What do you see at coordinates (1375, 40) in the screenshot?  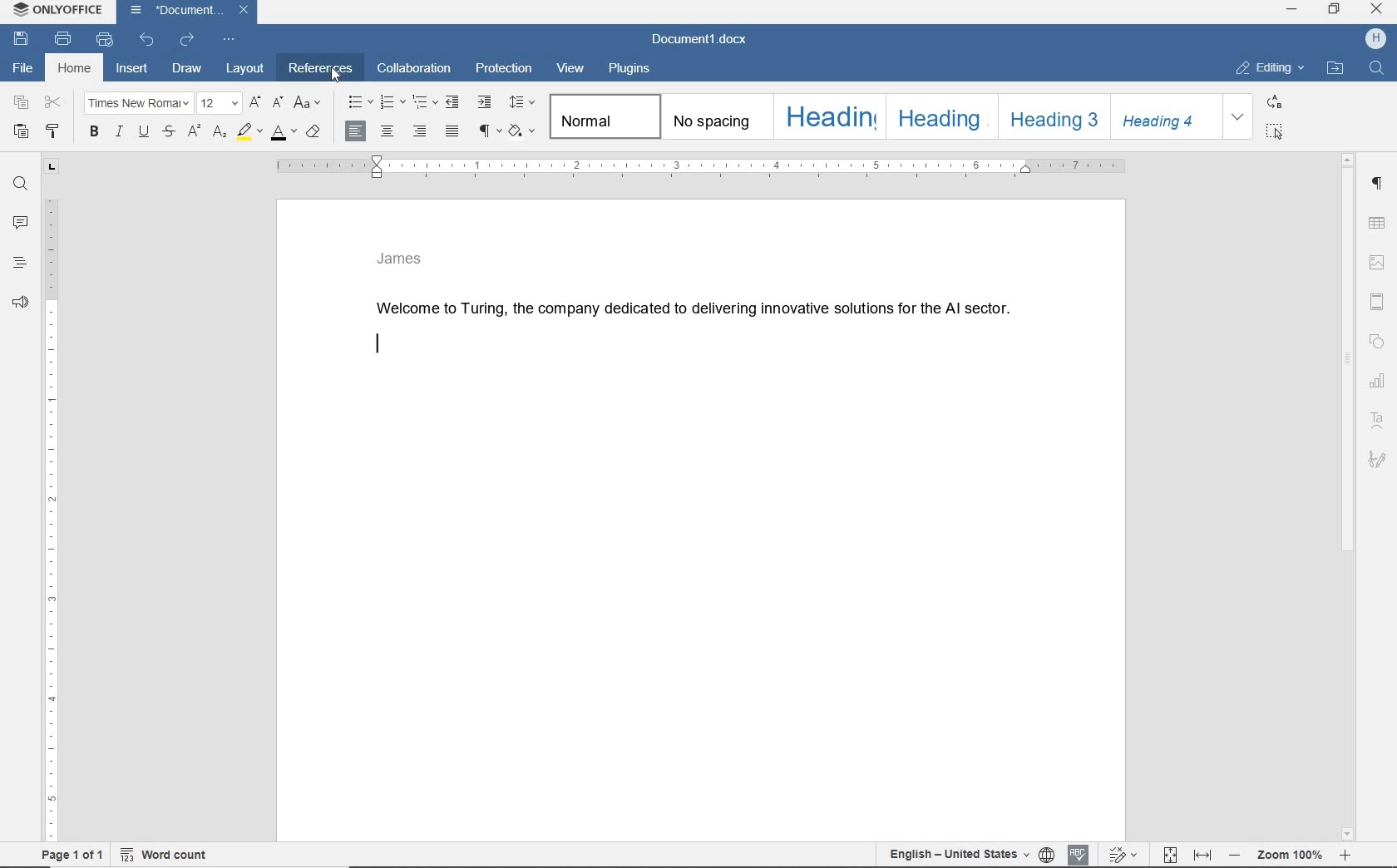 I see `username` at bounding box center [1375, 40].